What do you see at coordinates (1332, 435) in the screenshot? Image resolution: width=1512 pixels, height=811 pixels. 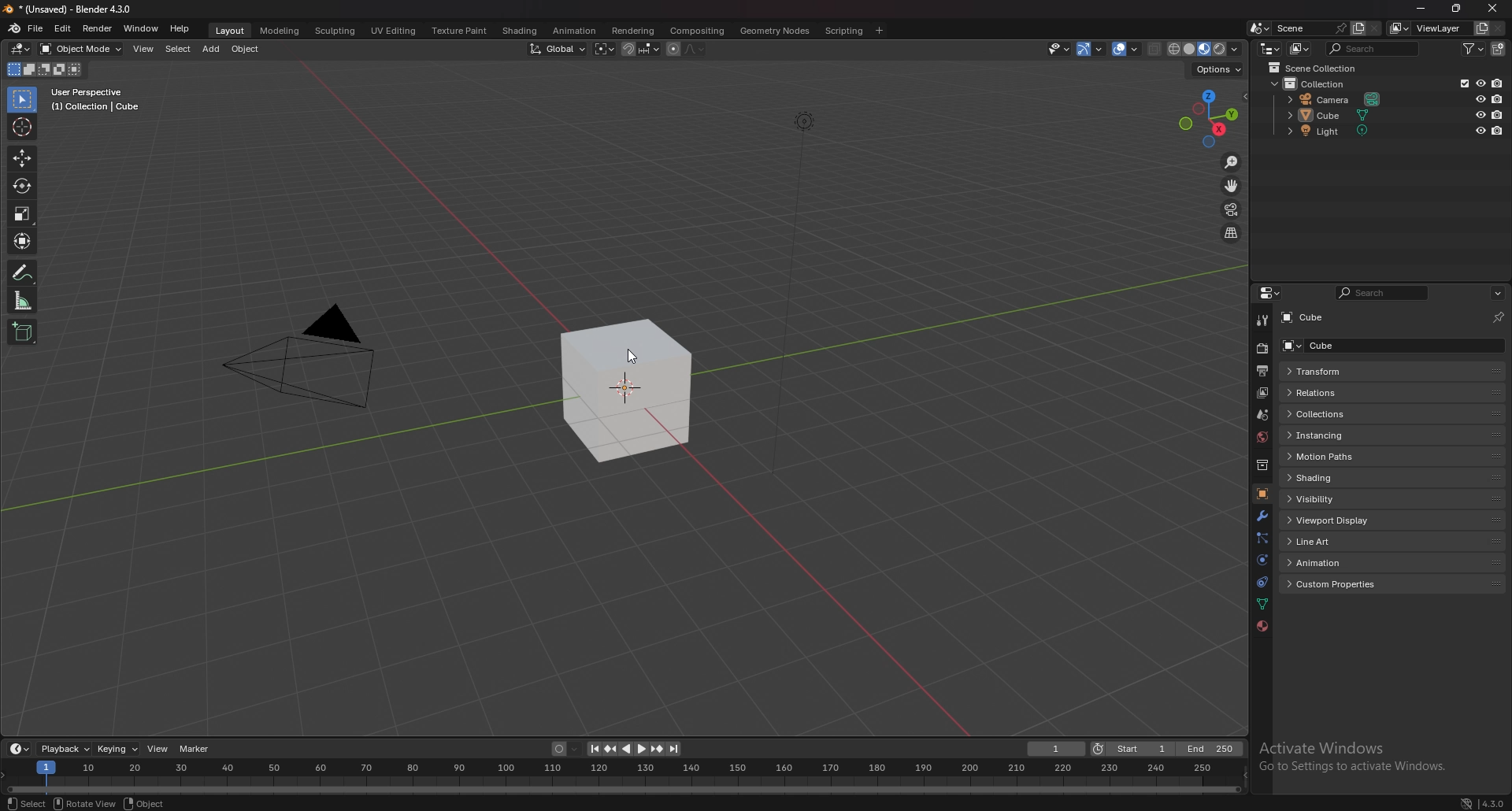 I see `instancing` at bounding box center [1332, 435].